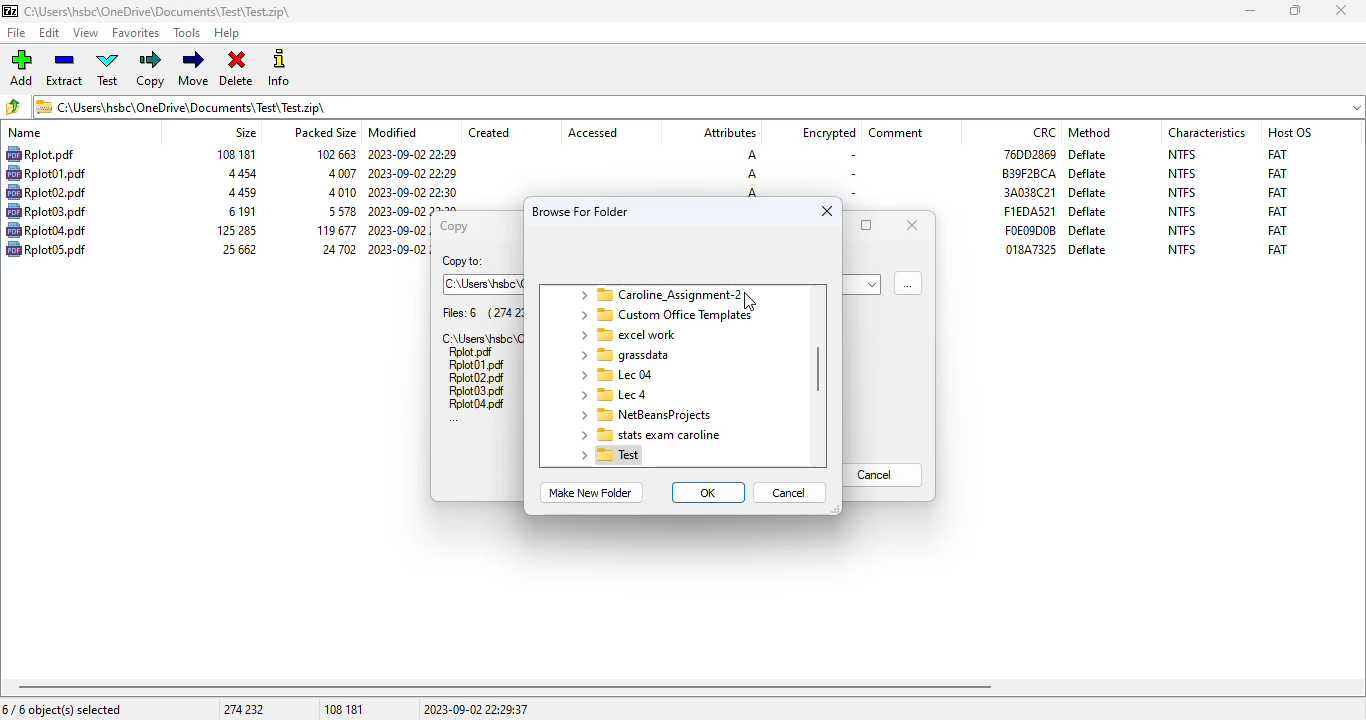 This screenshot has height=720, width=1366. Describe the element at coordinates (1183, 230) in the screenshot. I see `NTFS` at that location.